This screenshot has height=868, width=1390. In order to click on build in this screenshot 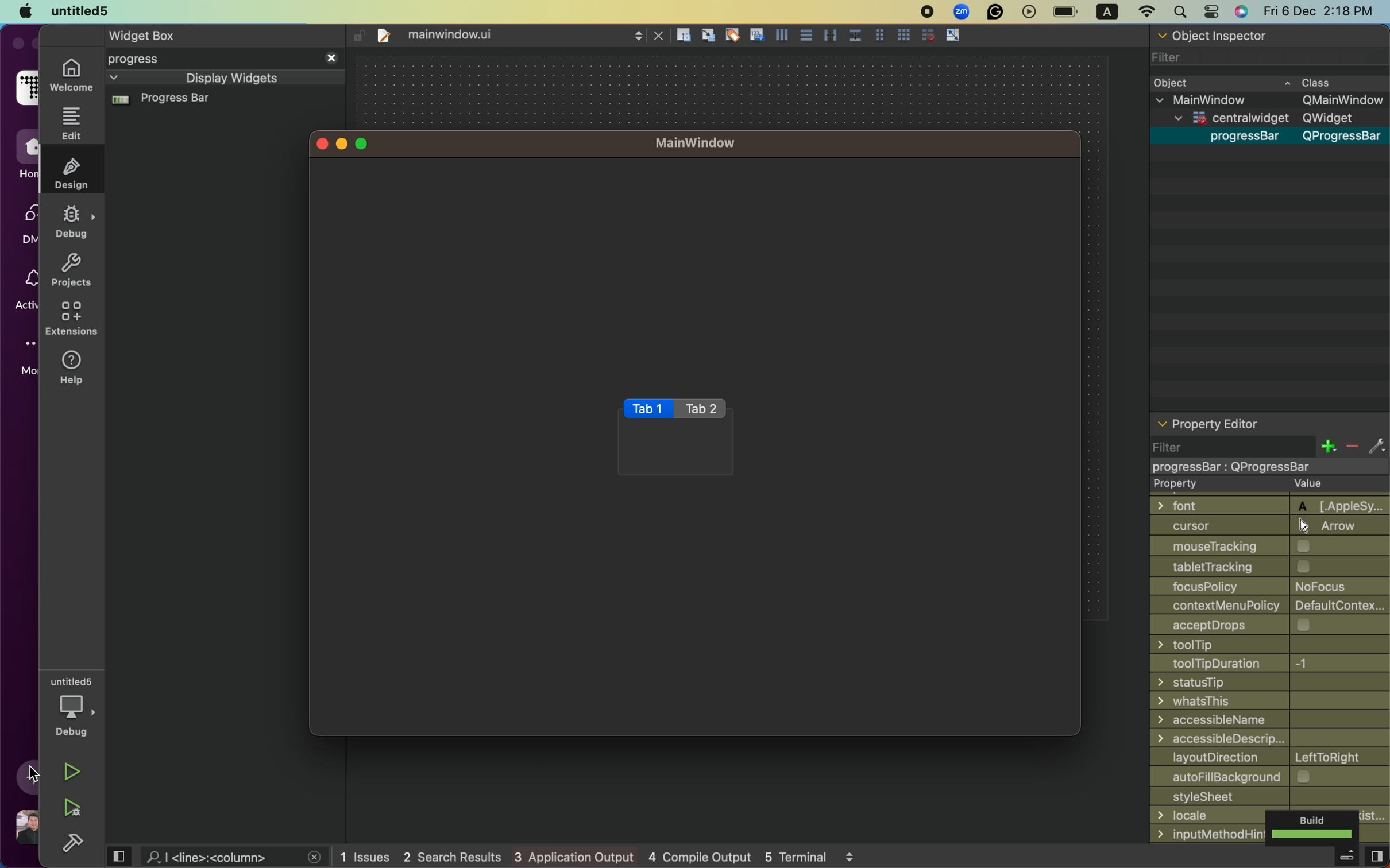, I will do `click(72, 843)`.